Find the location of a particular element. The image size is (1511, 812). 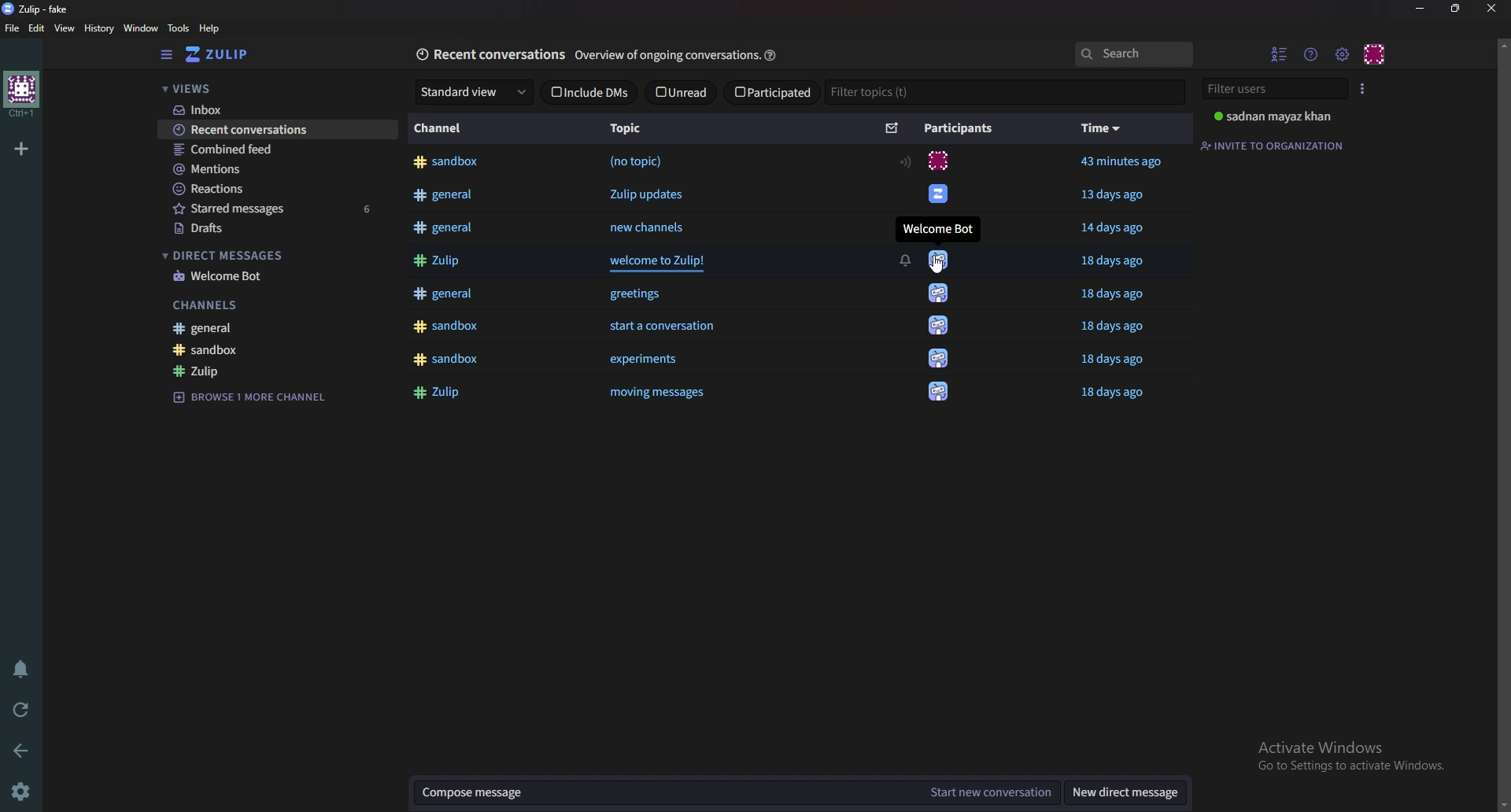

User list style is located at coordinates (1365, 88).